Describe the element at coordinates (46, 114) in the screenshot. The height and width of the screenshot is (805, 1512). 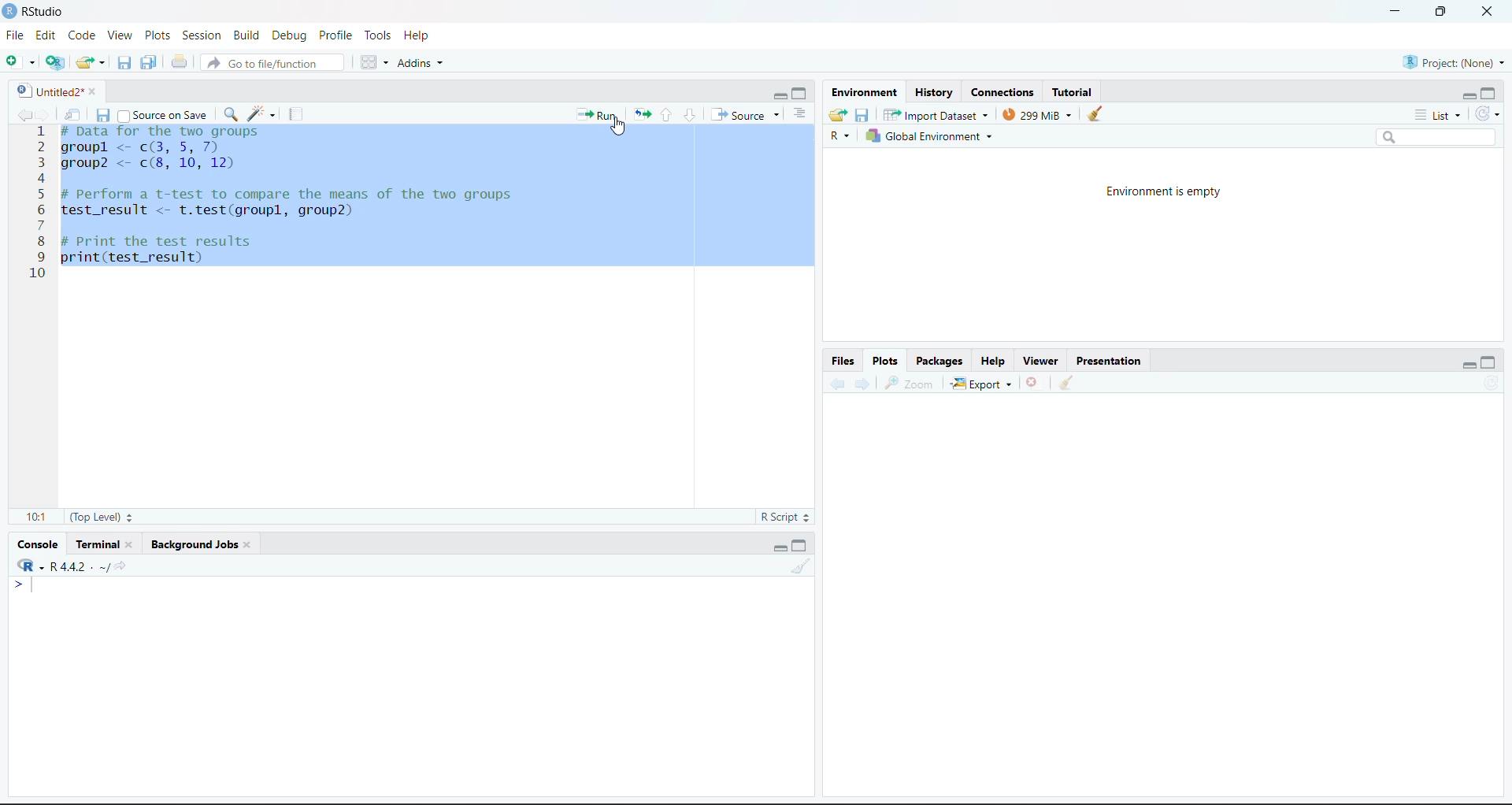
I see `go forward to the next source location` at that location.